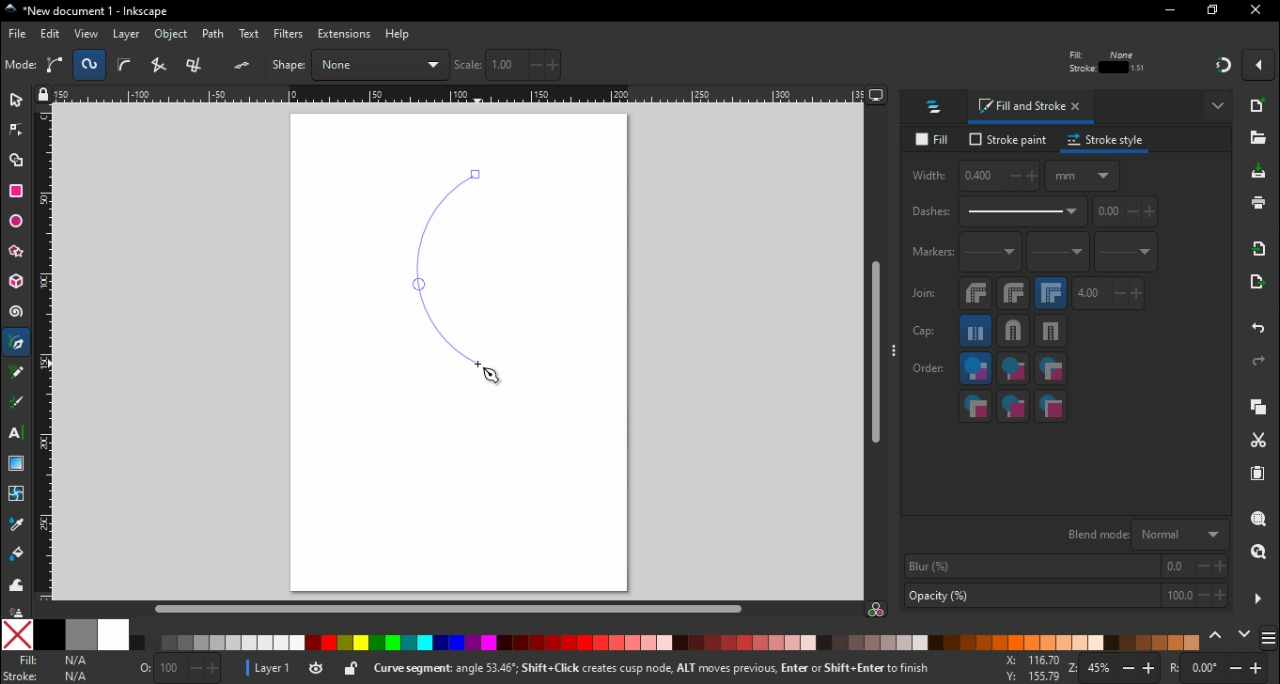 The width and height of the screenshot is (1280, 684). Describe the element at coordinates (1260, 203) in the screenshot. I see `print` at that location.